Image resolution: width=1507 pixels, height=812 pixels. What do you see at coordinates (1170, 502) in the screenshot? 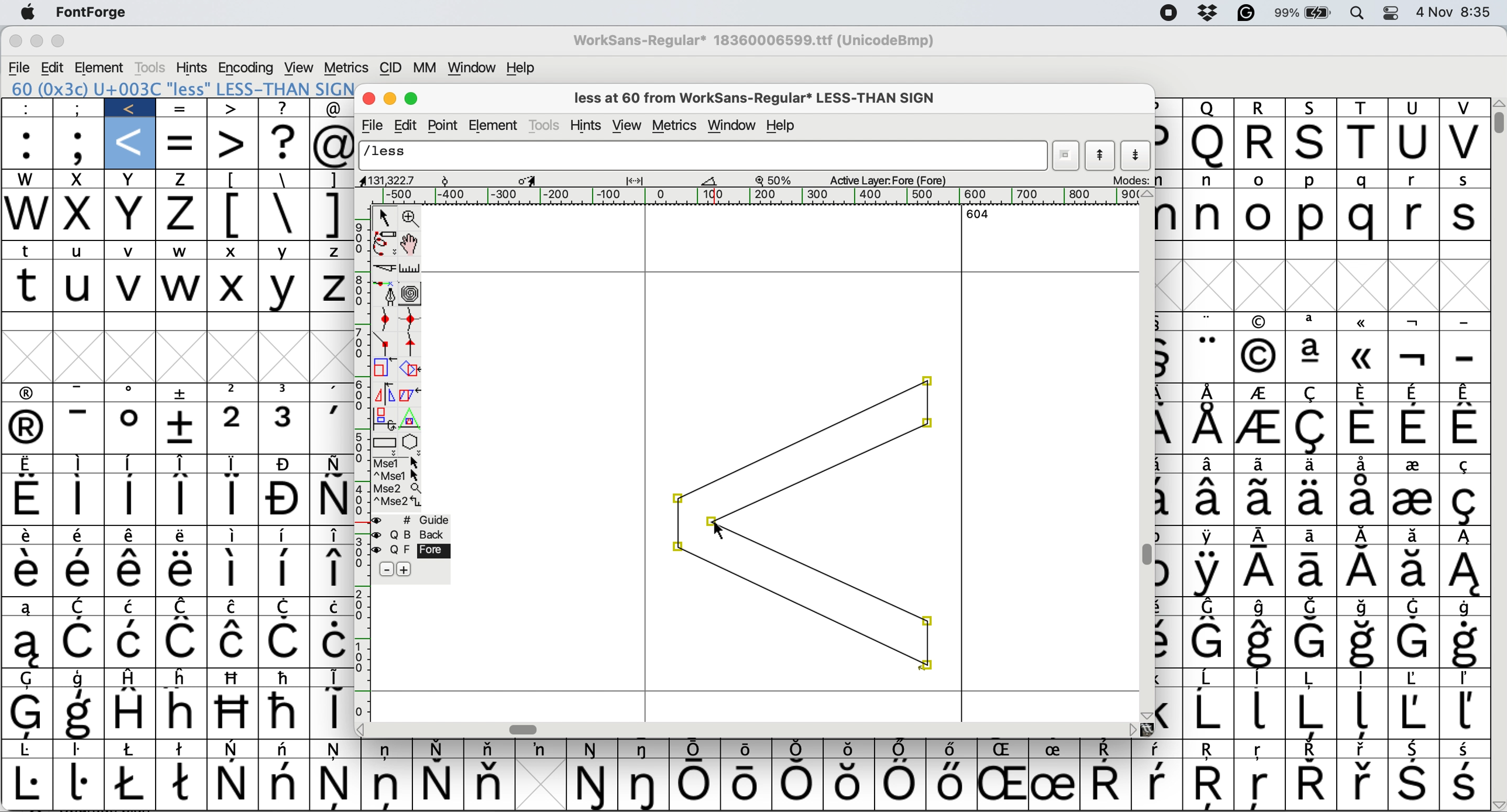
I see `Symbol` at bounding box center [1170, 502].